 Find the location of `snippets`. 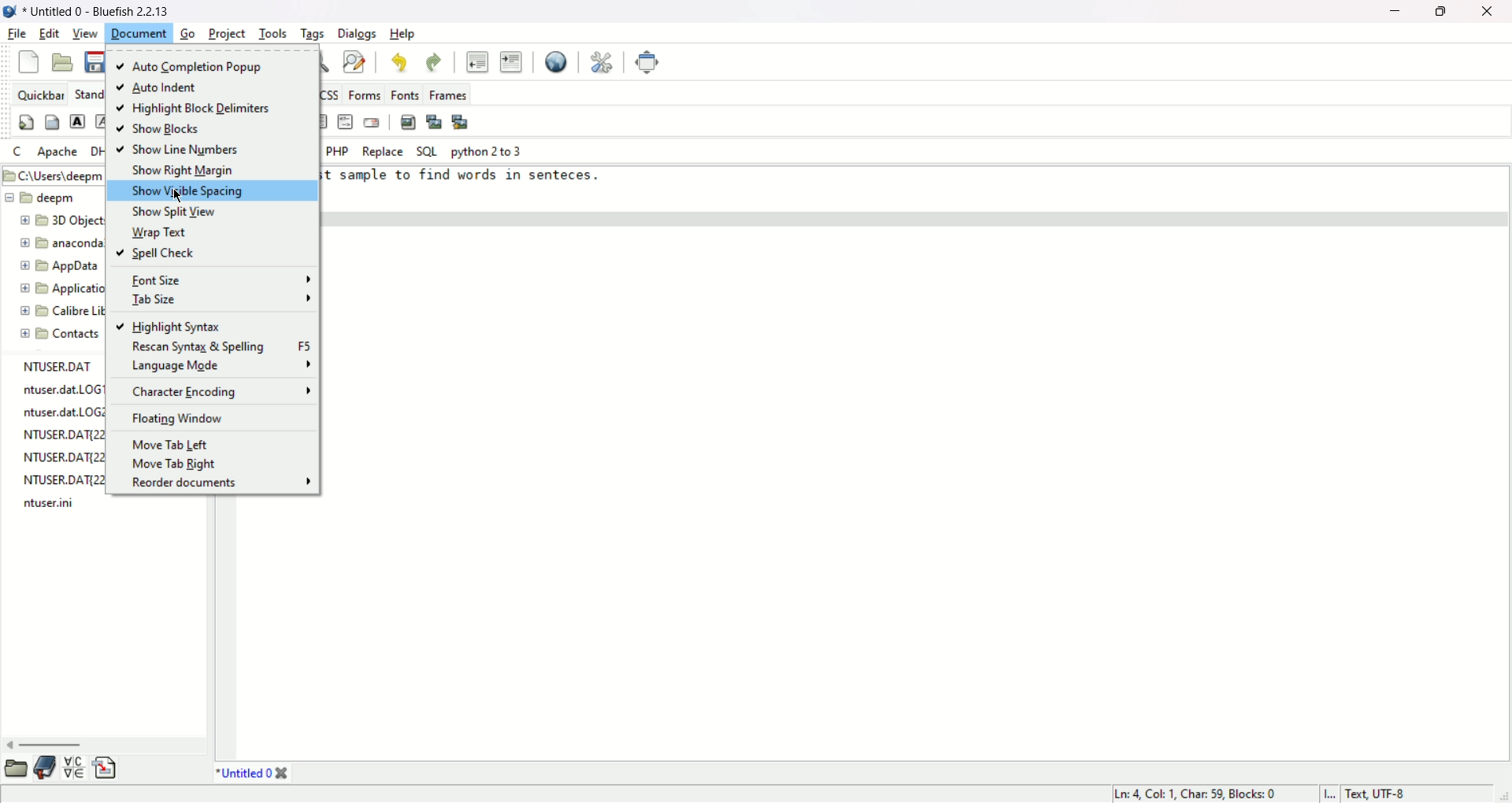

snippets is located at coordinates (106, 769).